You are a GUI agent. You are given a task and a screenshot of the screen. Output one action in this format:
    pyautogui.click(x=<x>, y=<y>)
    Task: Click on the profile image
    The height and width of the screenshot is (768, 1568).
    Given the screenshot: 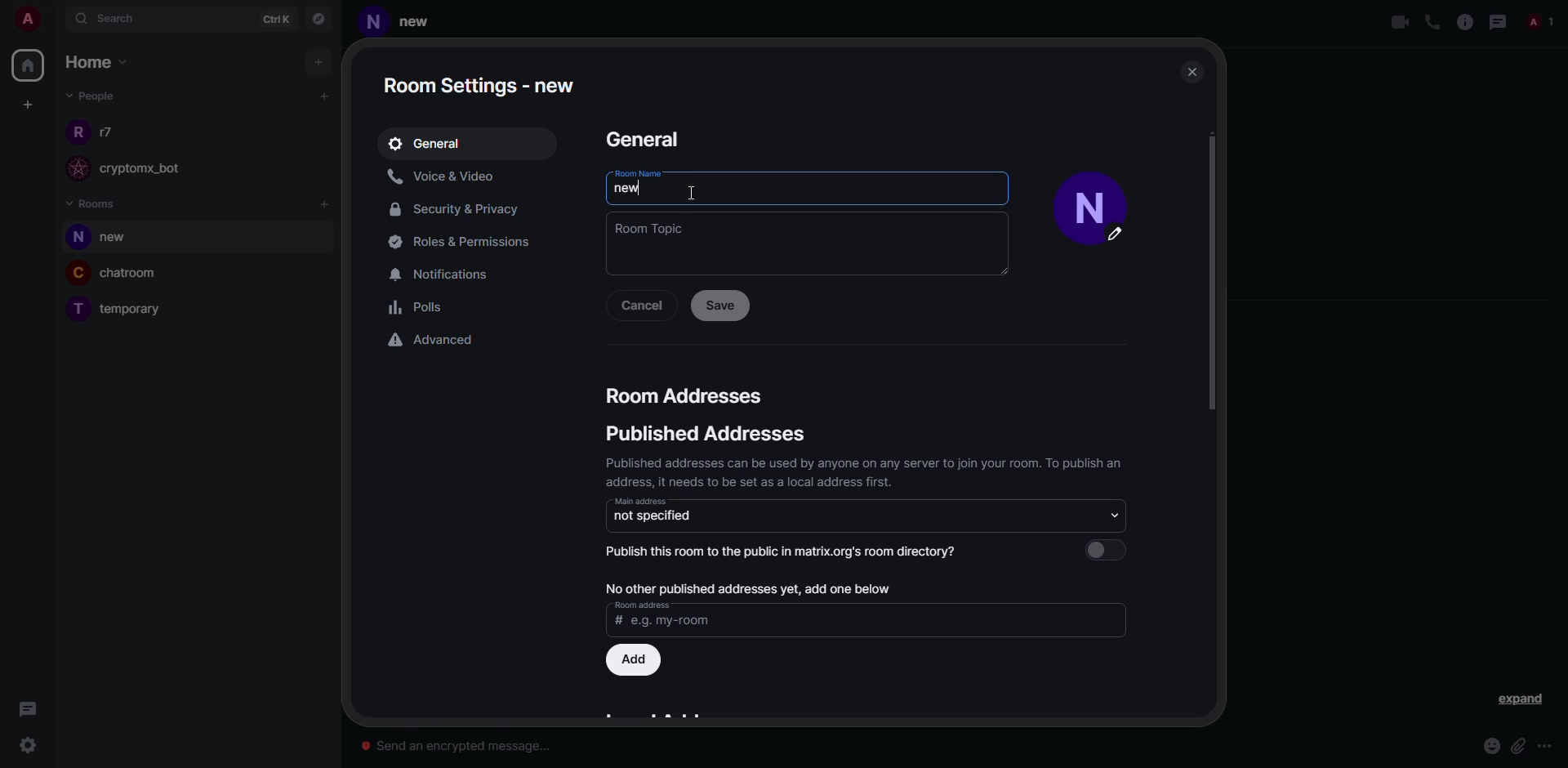 What is the action you would take?
    pyautogui.click(x=75, y=238)
    